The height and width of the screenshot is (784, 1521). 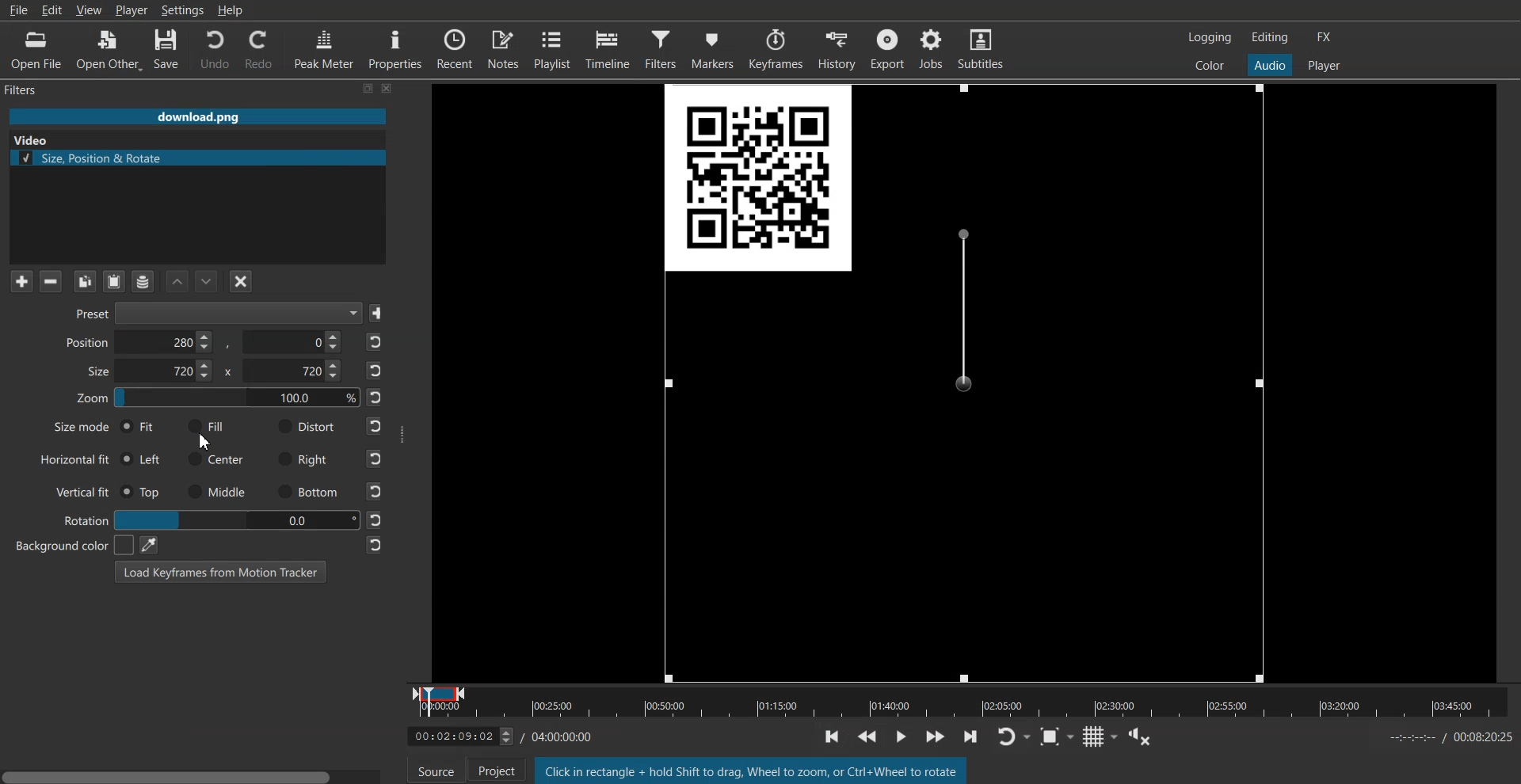 What do you see at coordinates (1269, 65) in the screenshot?
I see `Switch to the Audio layout` at bounding box center [1269, 65].